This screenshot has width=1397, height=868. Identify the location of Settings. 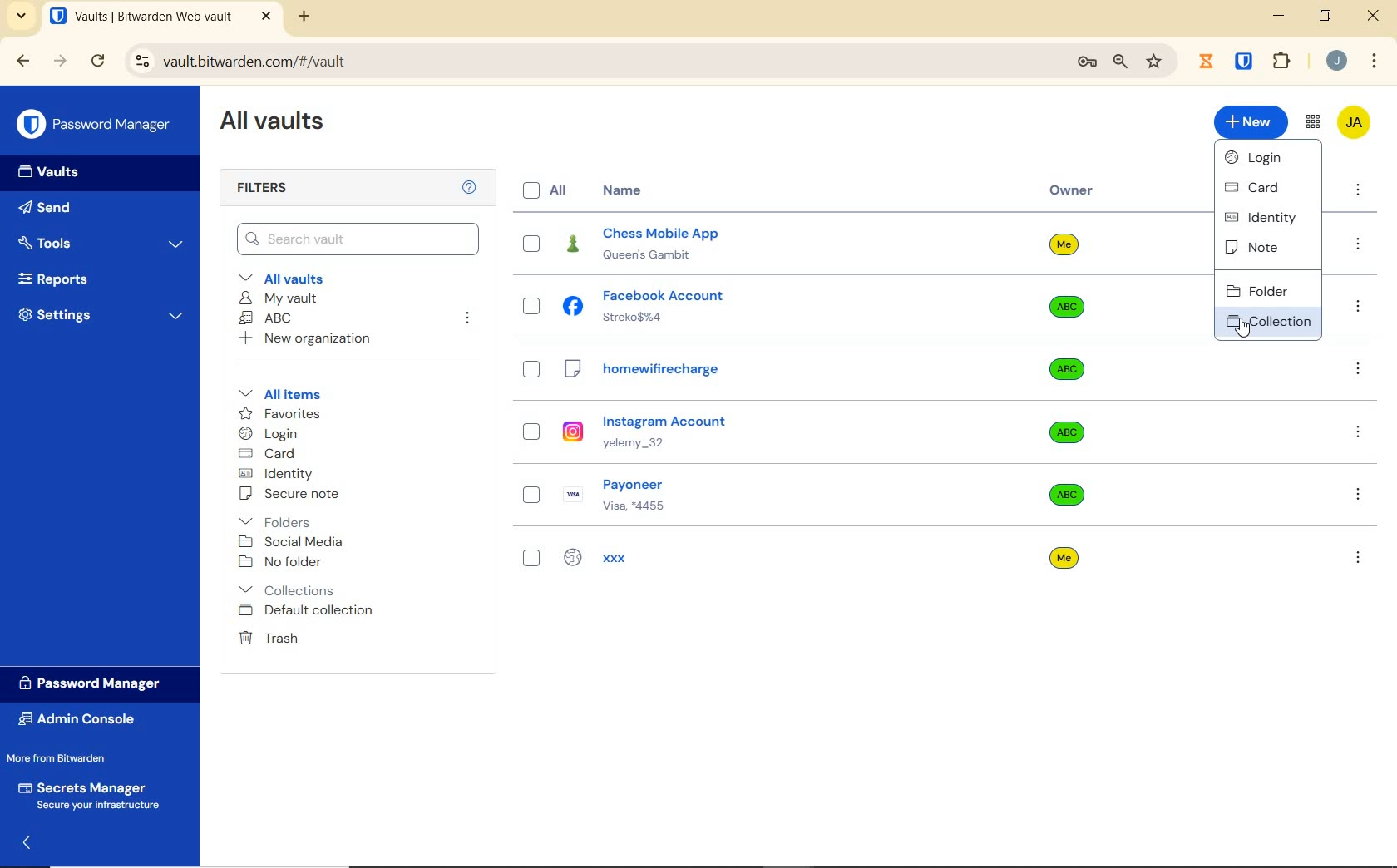
(104, 318).